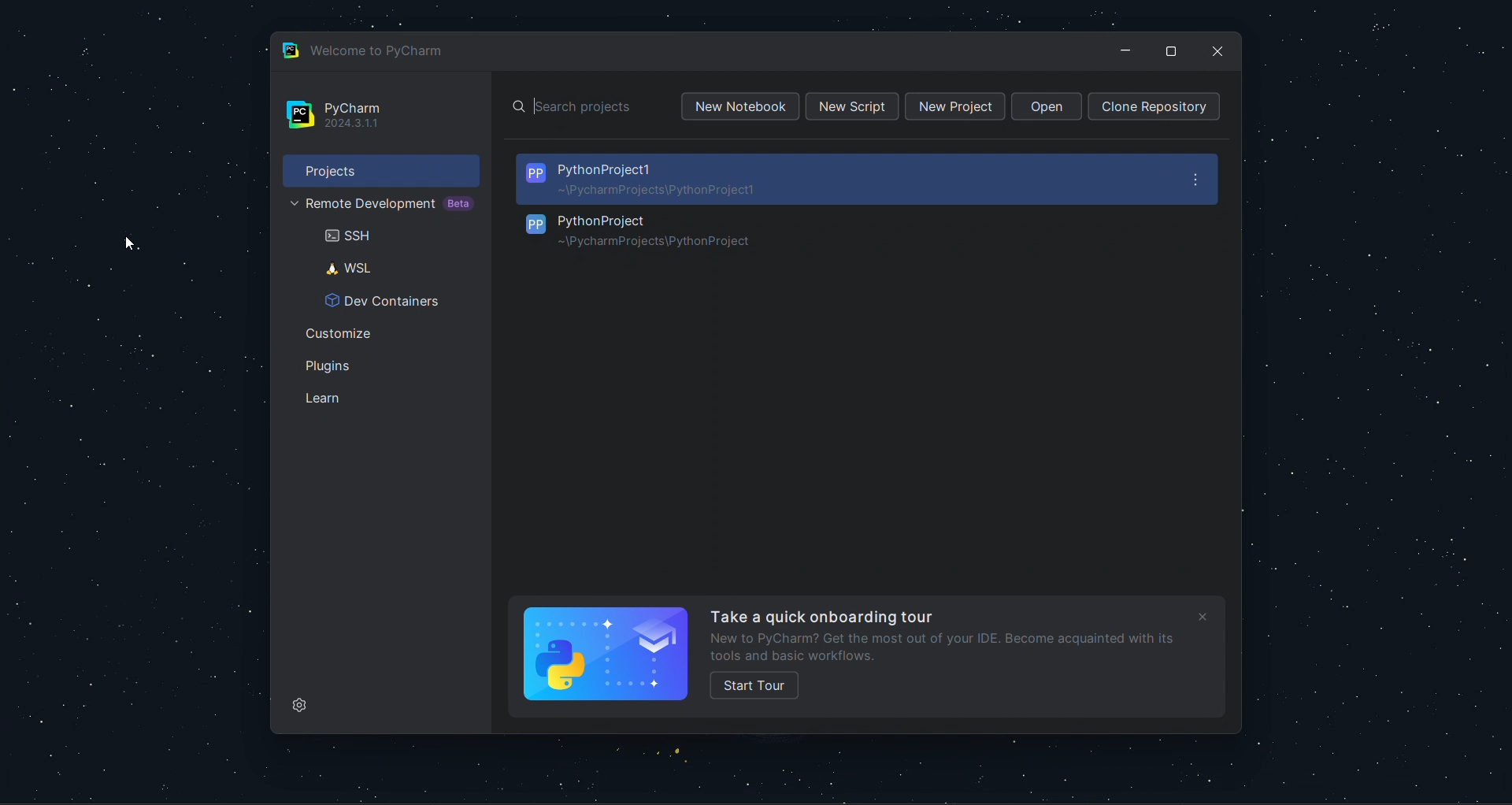 The image size is (1512, 805). Describe the element at coordinates (765, 686) in the screenshot. I see `Start Tour` at that location.